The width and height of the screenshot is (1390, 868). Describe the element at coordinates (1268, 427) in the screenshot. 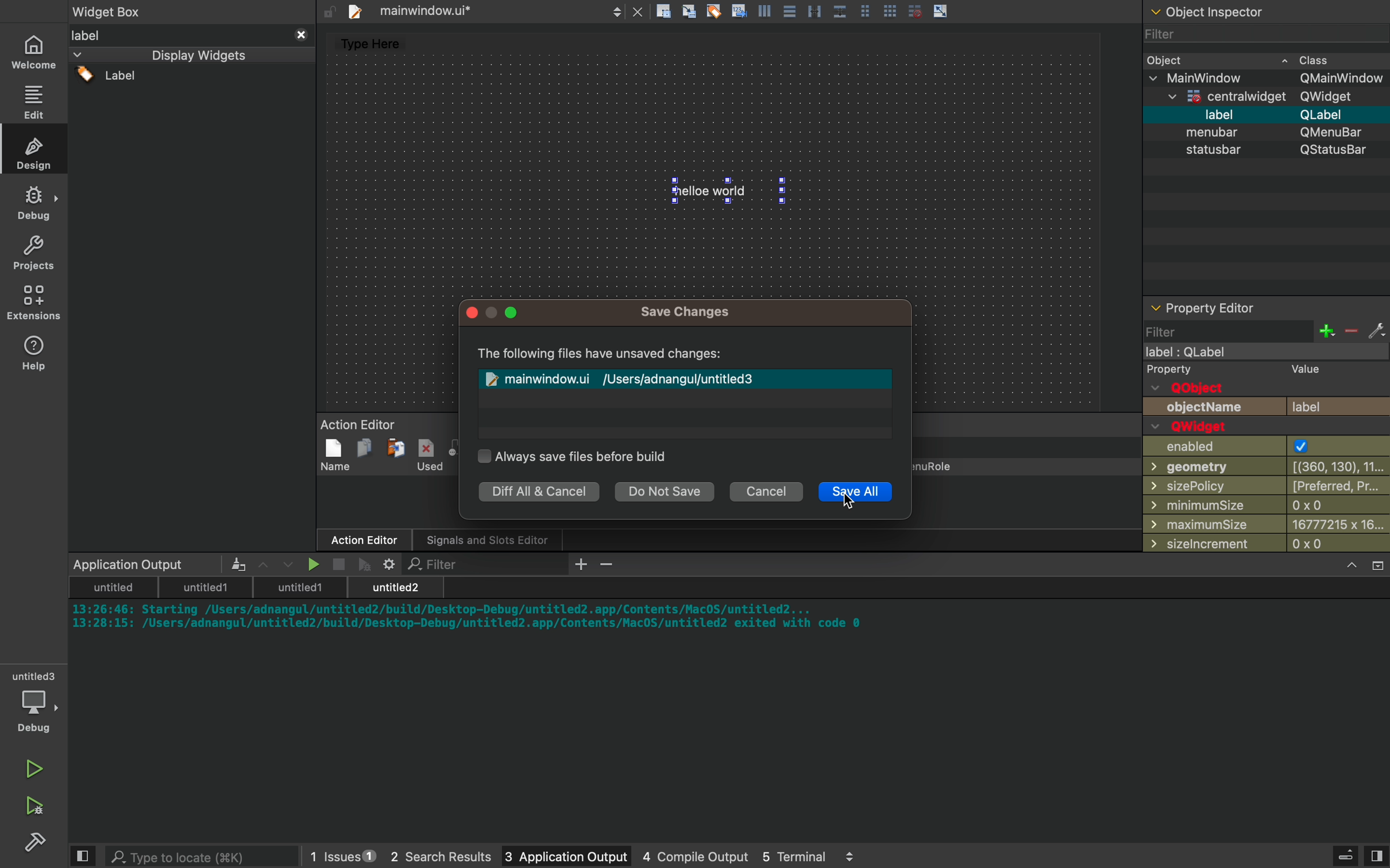

I see `properties of widget` at that location.